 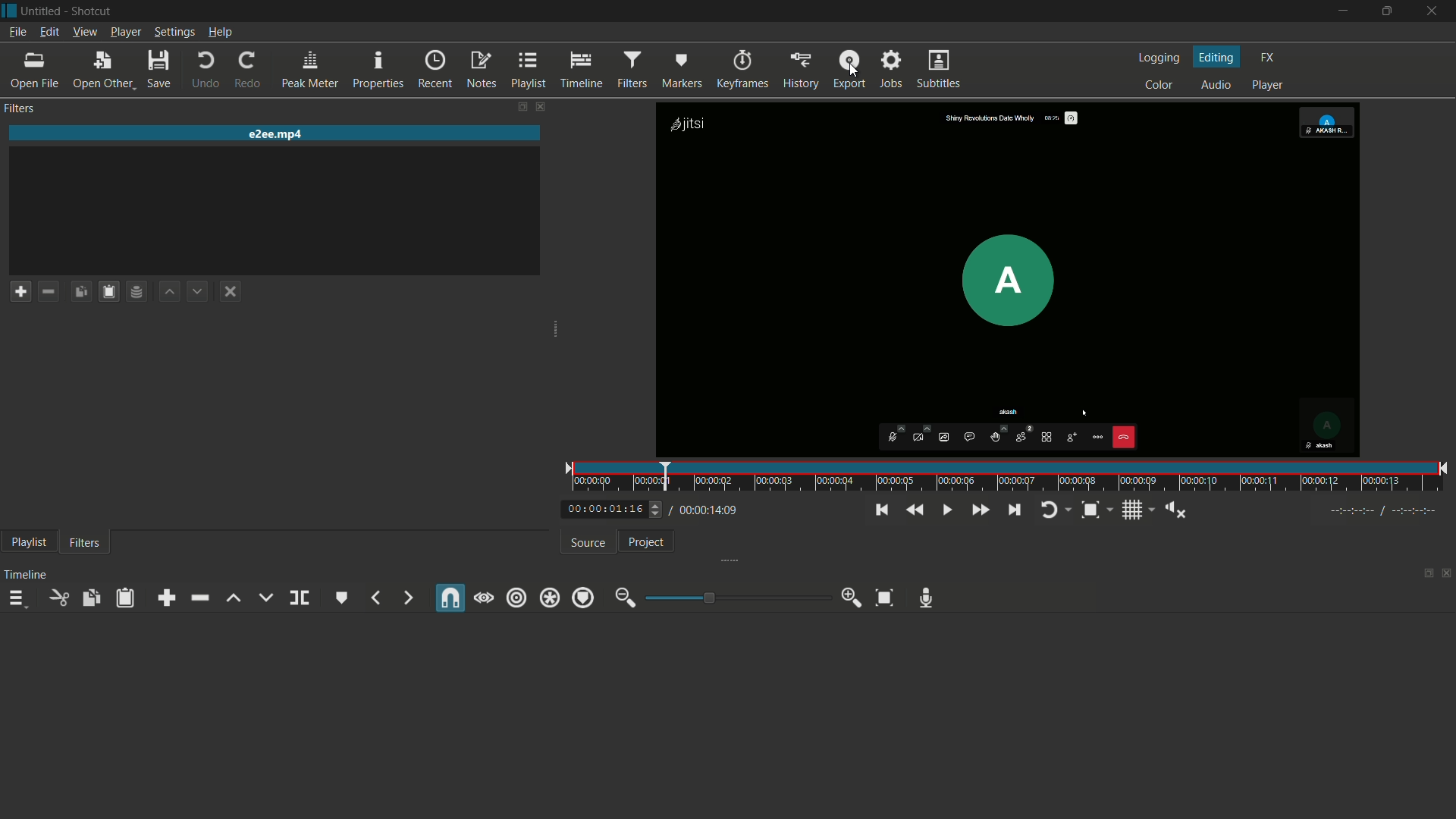 What do you see at coordinates (343, 598) in the screenshot?
I see `create or edit marker` at bounding box center [343, 598].